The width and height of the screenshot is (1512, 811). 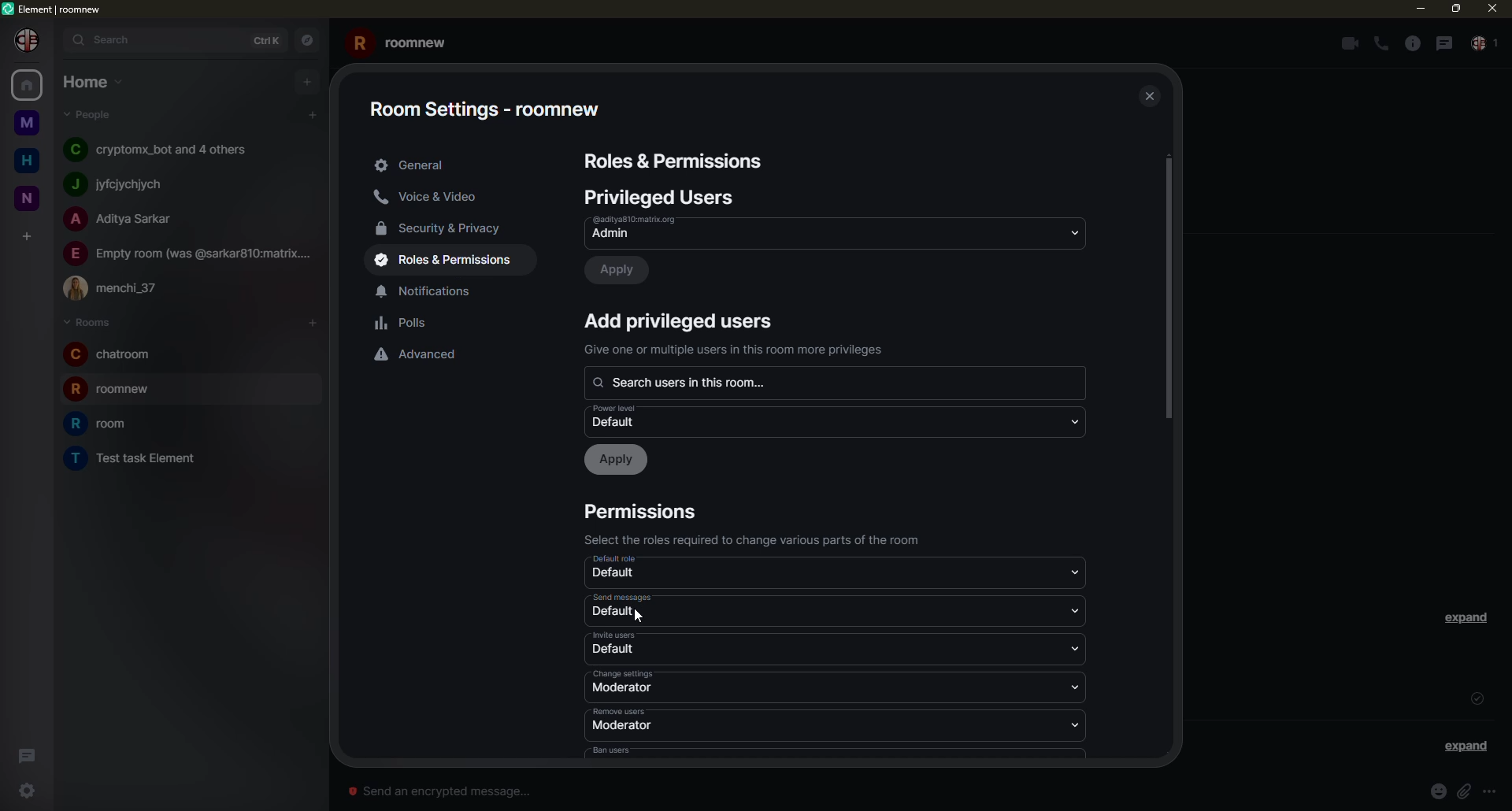 I want to click on cursor, so click(x=643, y=624).